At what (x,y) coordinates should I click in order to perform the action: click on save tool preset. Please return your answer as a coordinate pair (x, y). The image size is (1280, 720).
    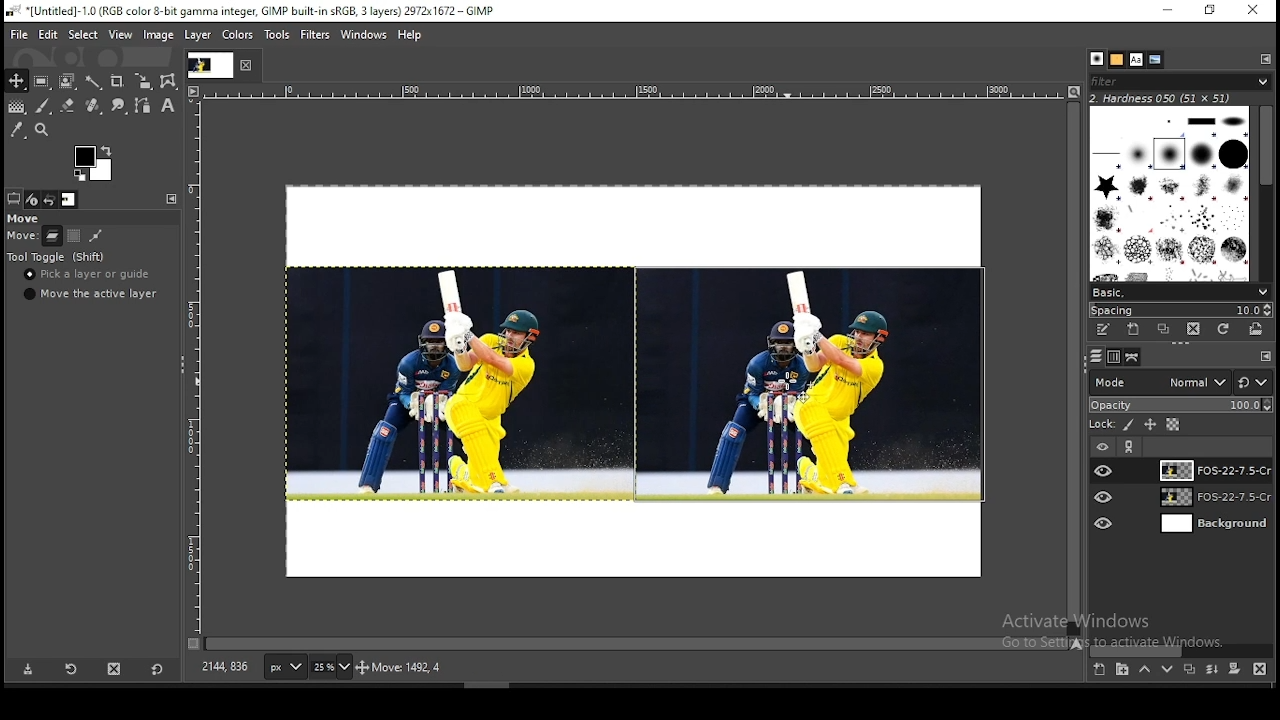
    Looking at the image, I should click on (29, 670).